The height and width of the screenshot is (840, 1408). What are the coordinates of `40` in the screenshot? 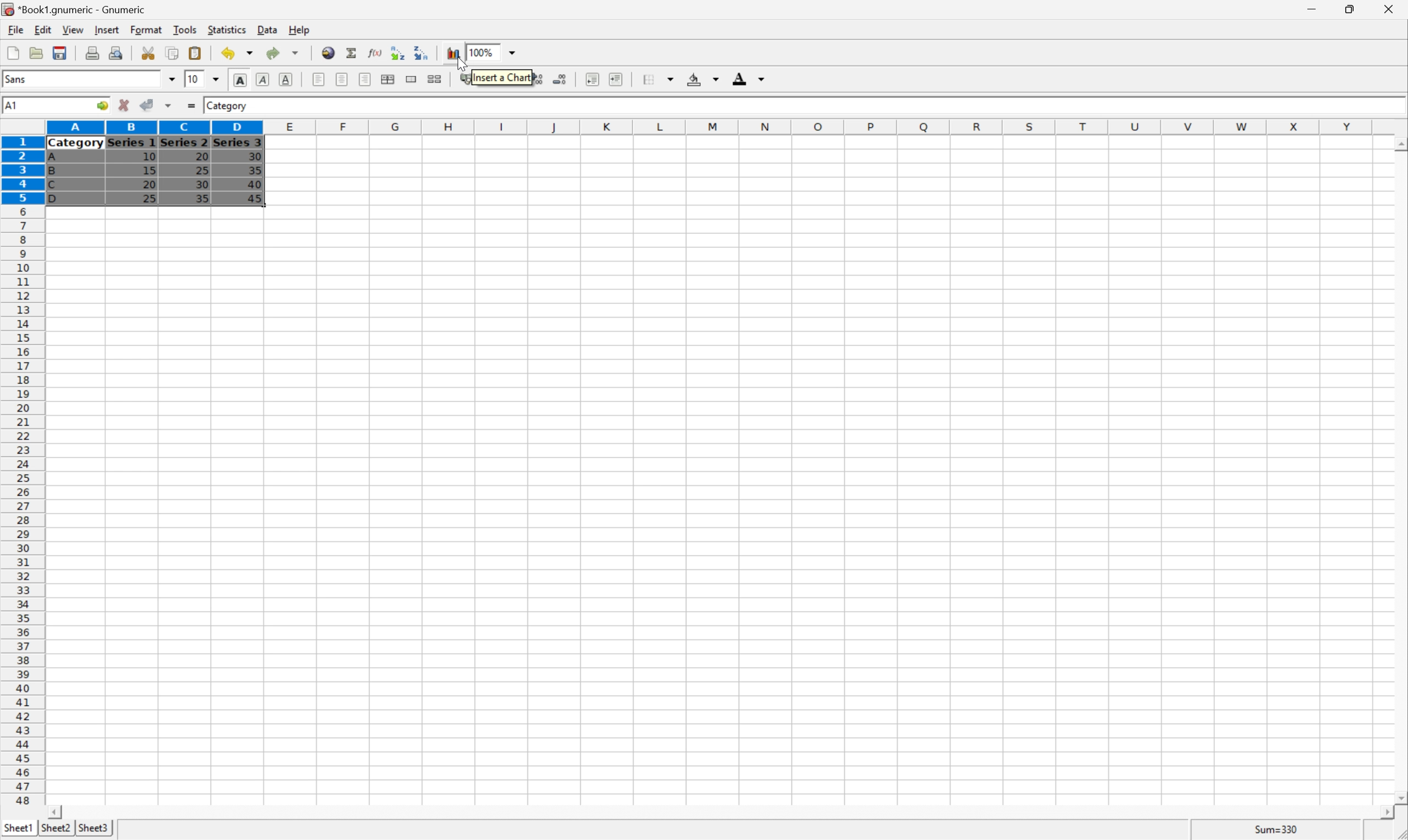 It's located at (255, 182).